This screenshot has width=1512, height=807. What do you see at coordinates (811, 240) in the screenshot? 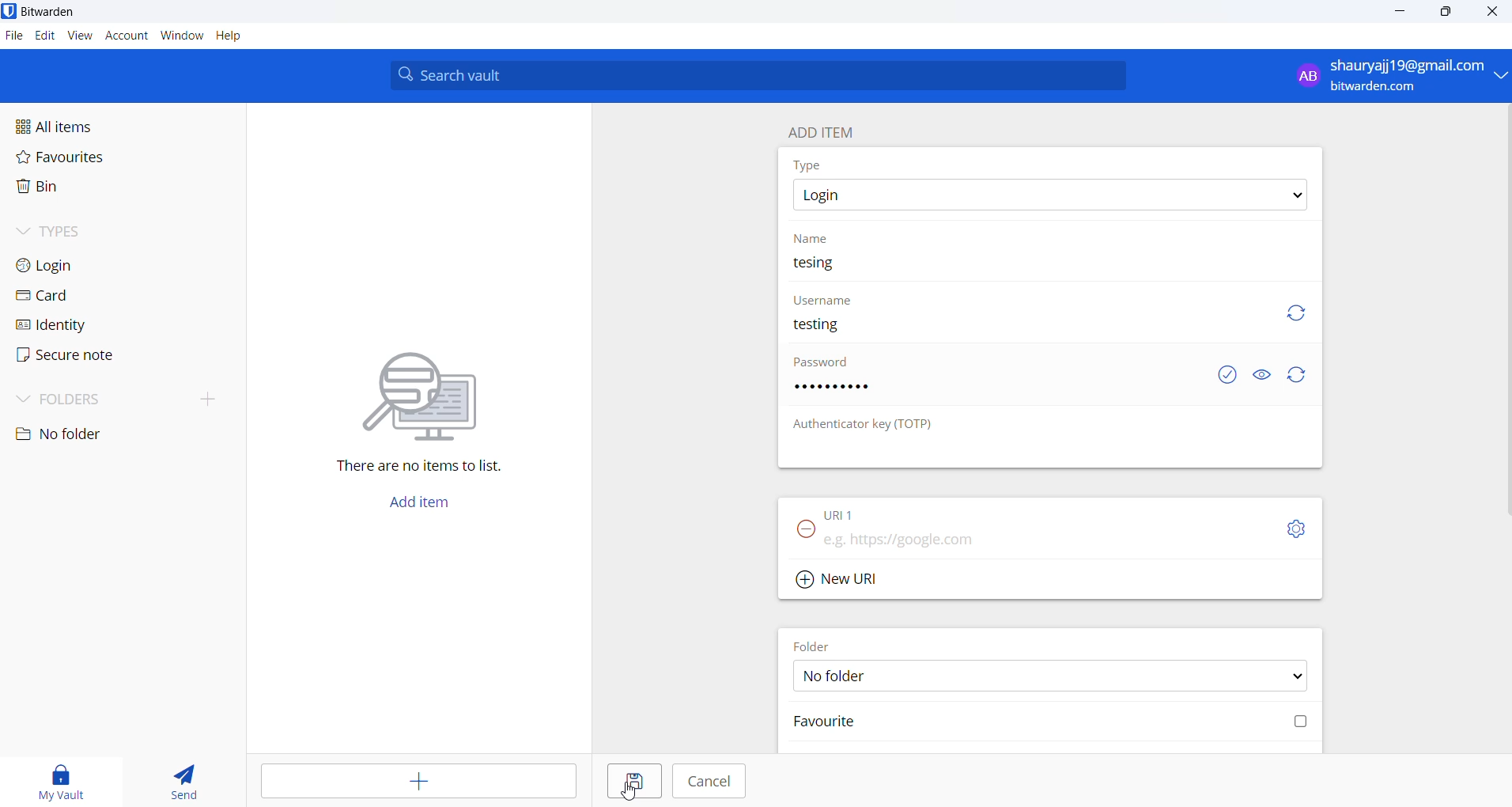
I see `name heading` at bounding box center [811, 240].